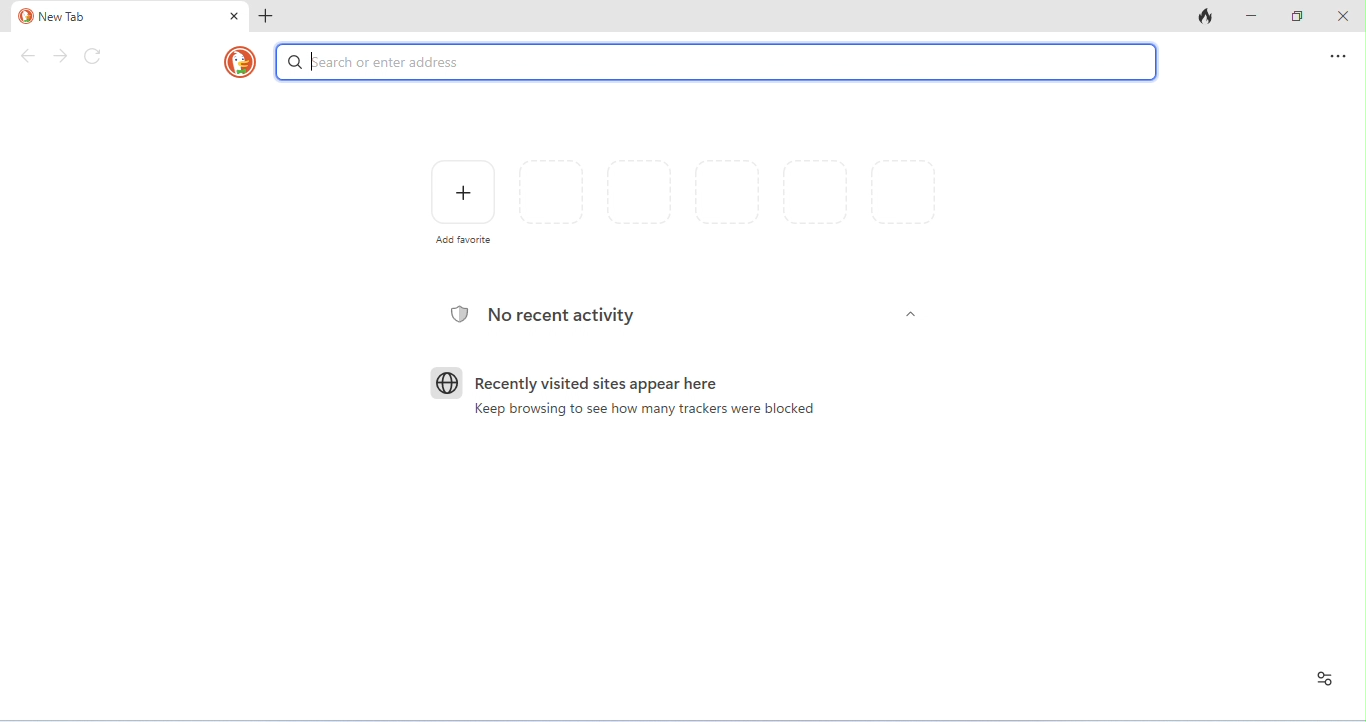 The image size is (1366, 722). What do you see at coordinates (1298, 15) in the screenshot?
I see `maximize` at bounding box center [1298, 15].